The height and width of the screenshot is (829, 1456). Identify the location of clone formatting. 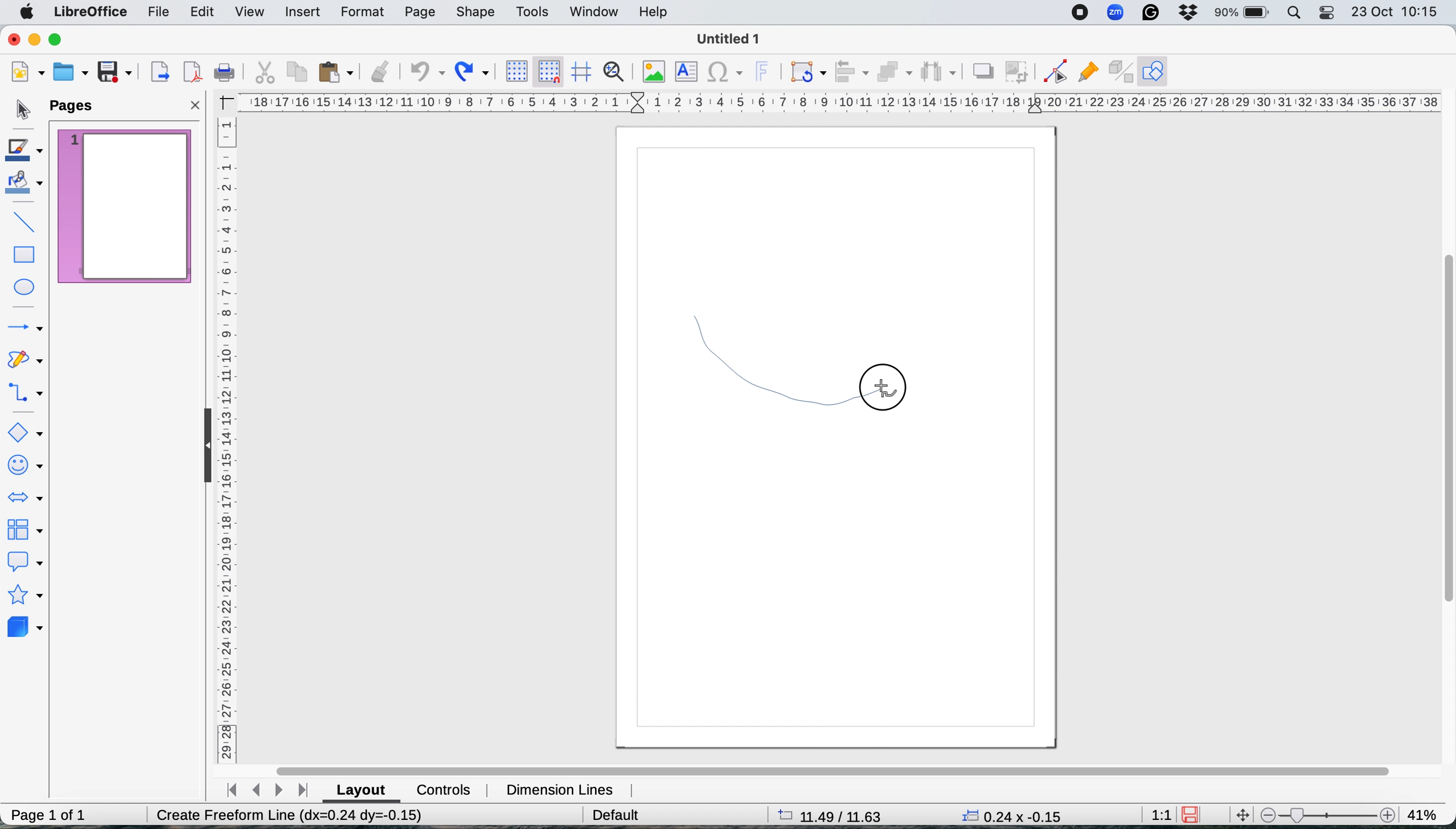
(381, 71).